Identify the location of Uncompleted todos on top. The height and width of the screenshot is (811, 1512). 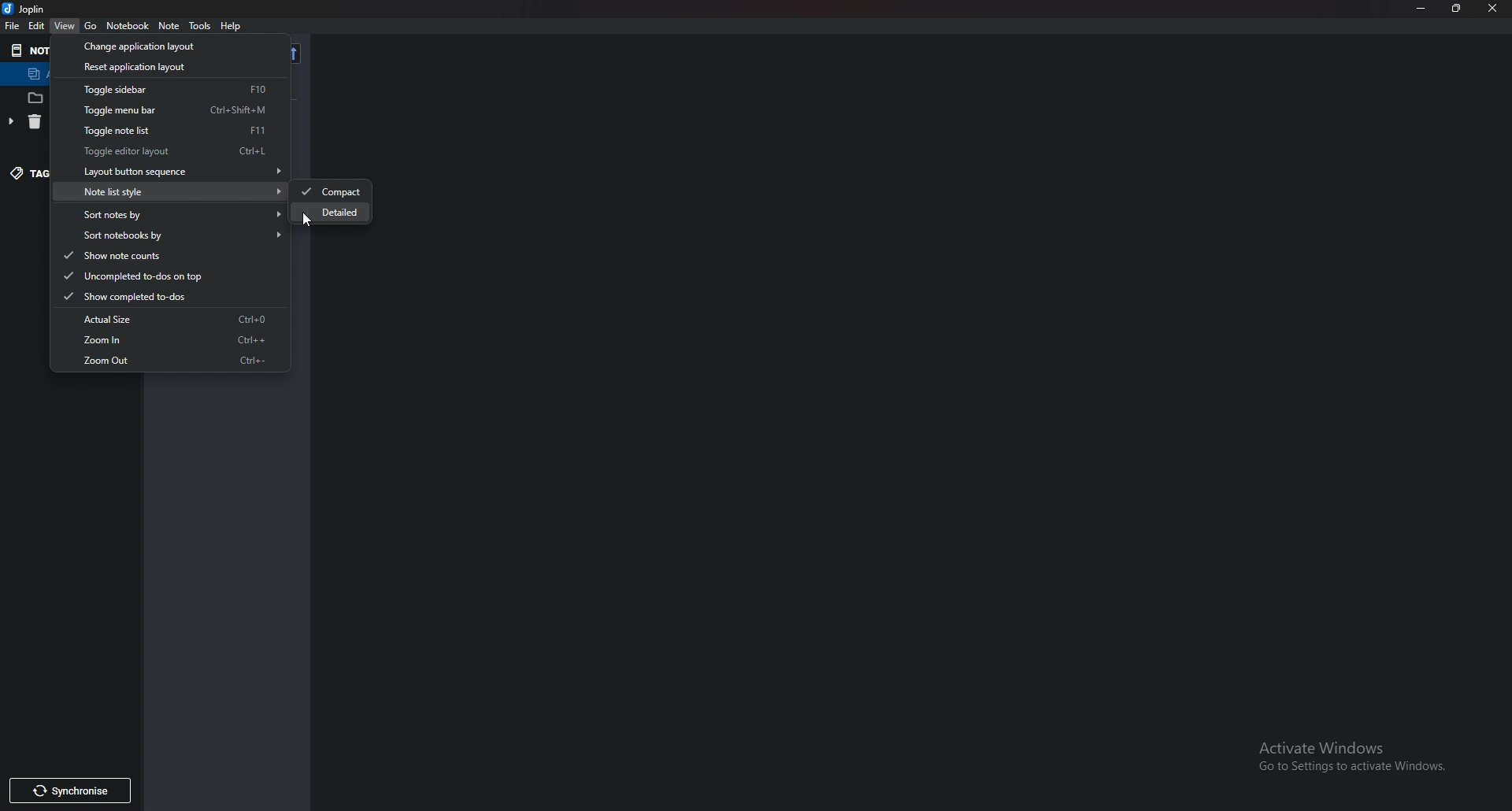
(160, 276).